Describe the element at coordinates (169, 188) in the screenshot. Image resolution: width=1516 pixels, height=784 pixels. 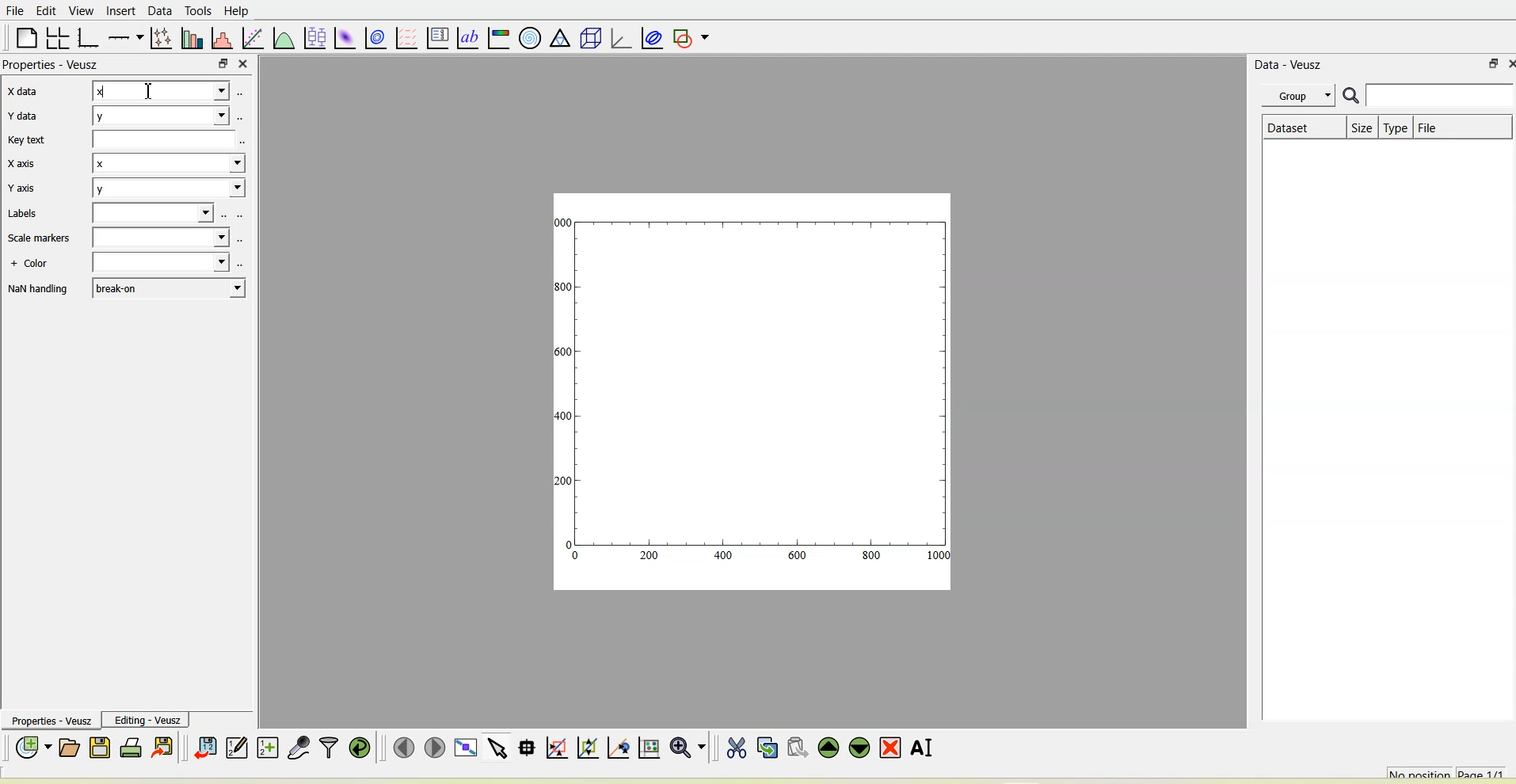
I see `y` at that location.